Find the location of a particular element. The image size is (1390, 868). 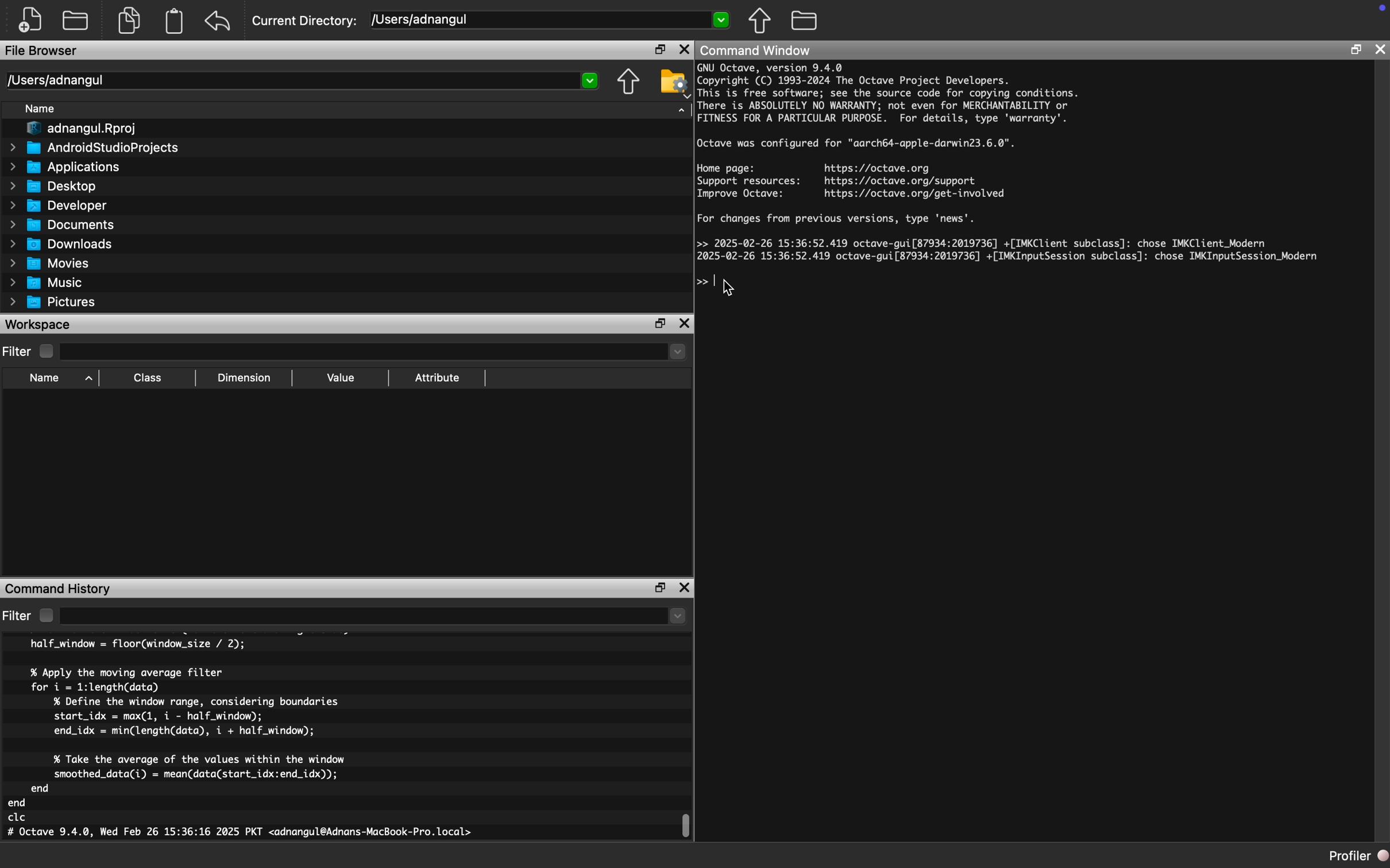

Cursor is located at coordinates (731, 287).